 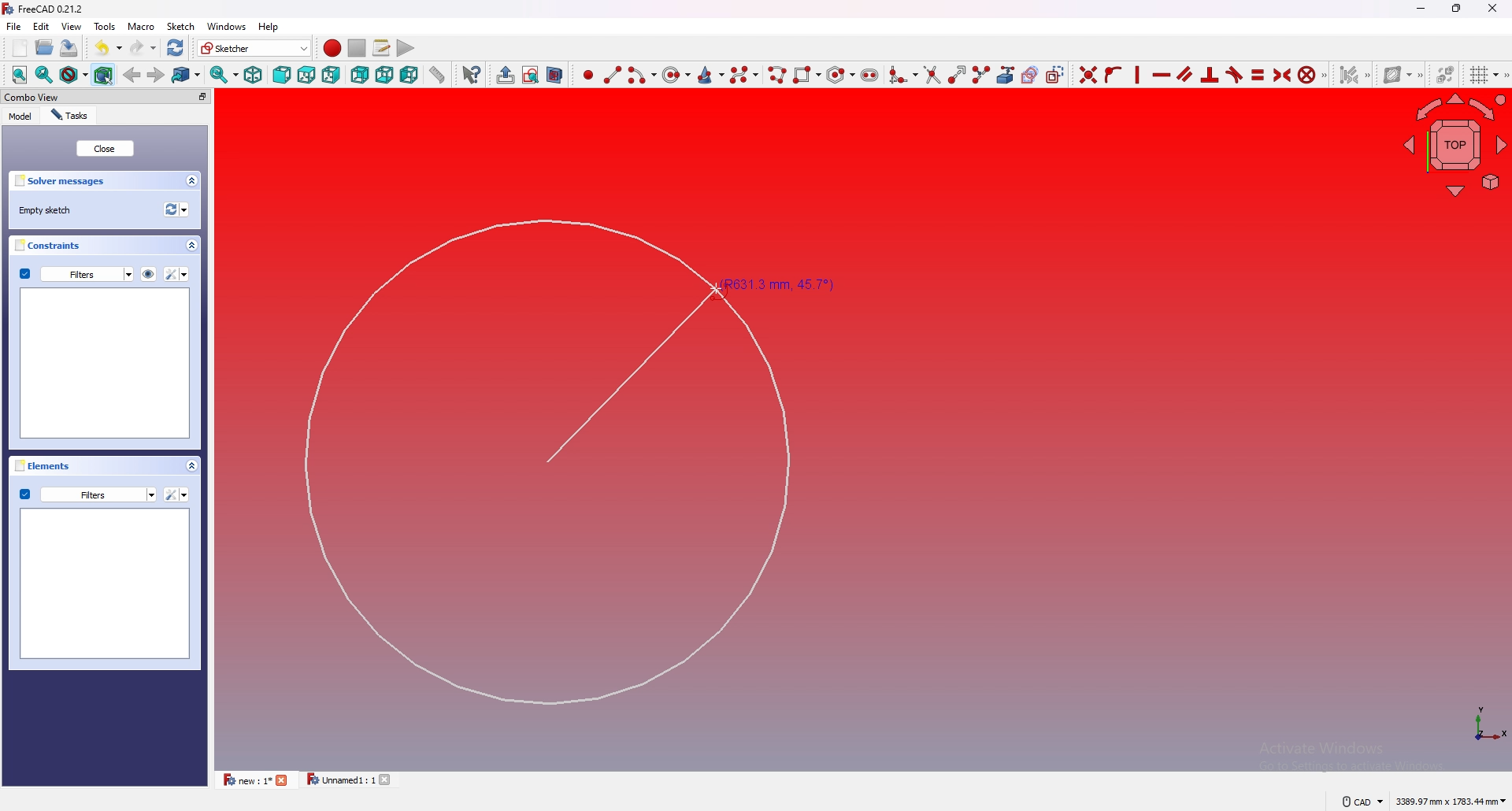 I want to click on go to linked object, so click(x=187, y=74).